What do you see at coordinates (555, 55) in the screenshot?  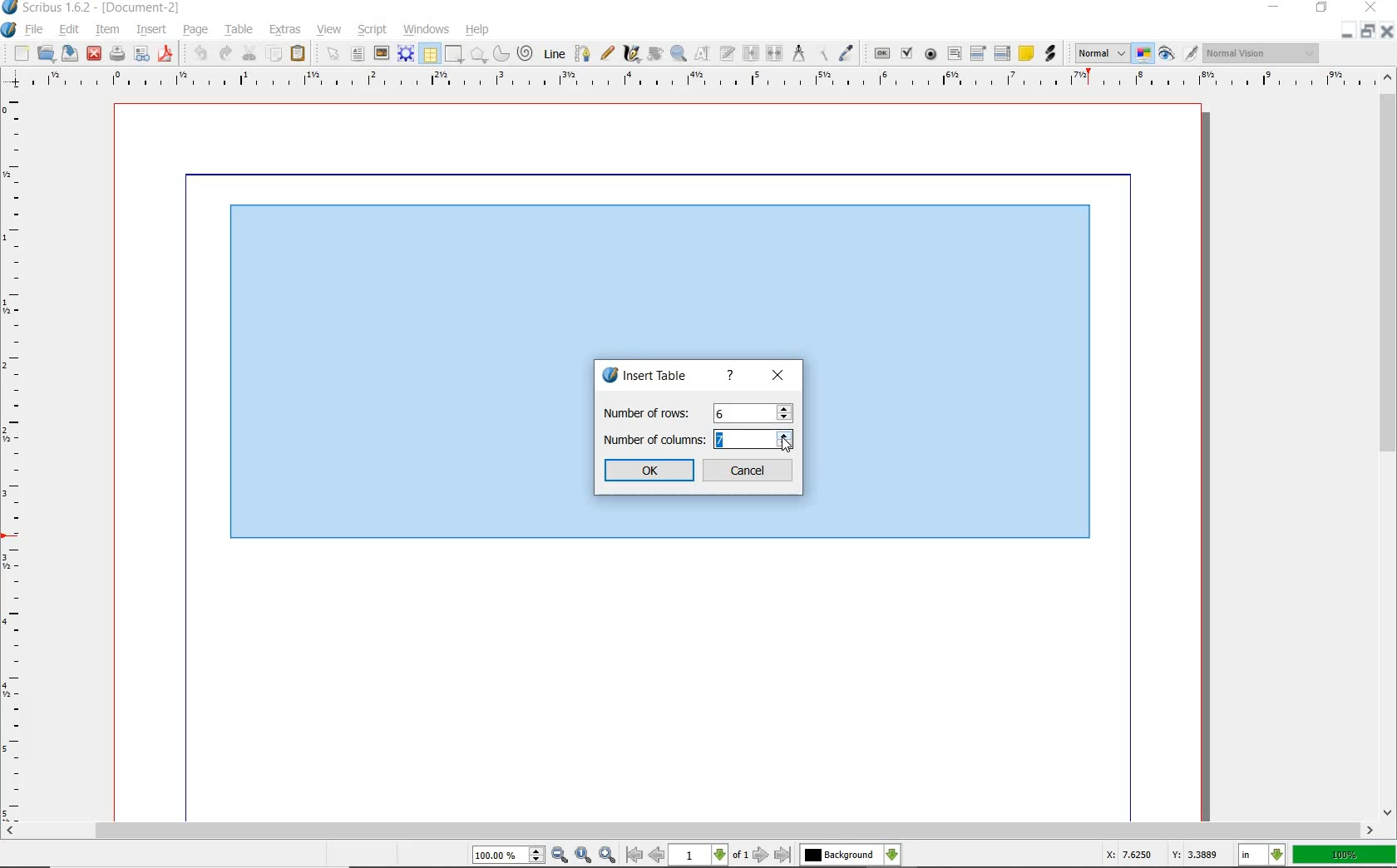 I see `line` at bounding box center [555, 55].